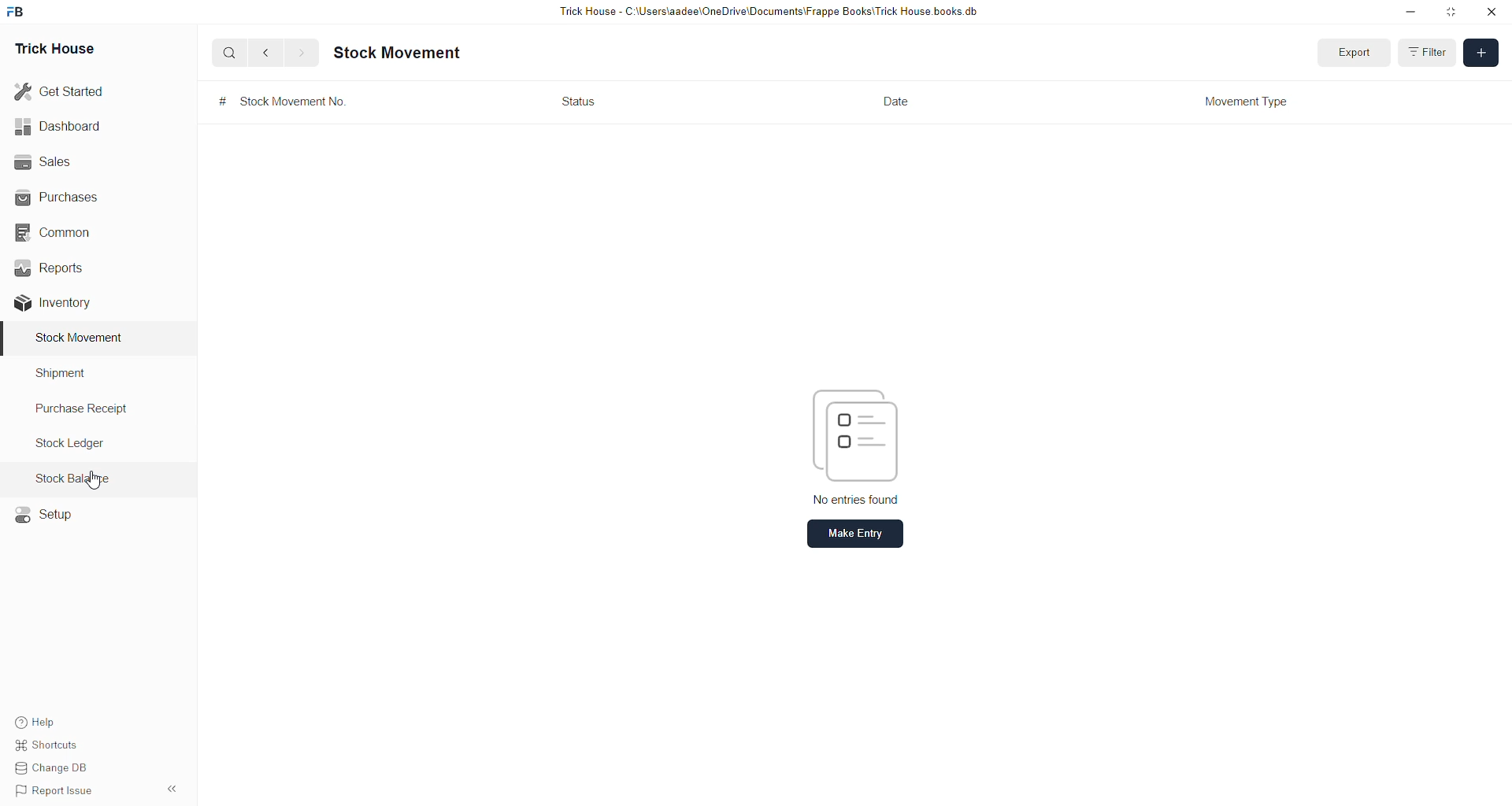 The height and width of the screenshot is (806, 1512). I want to click on Restore, so click(1453, 13).